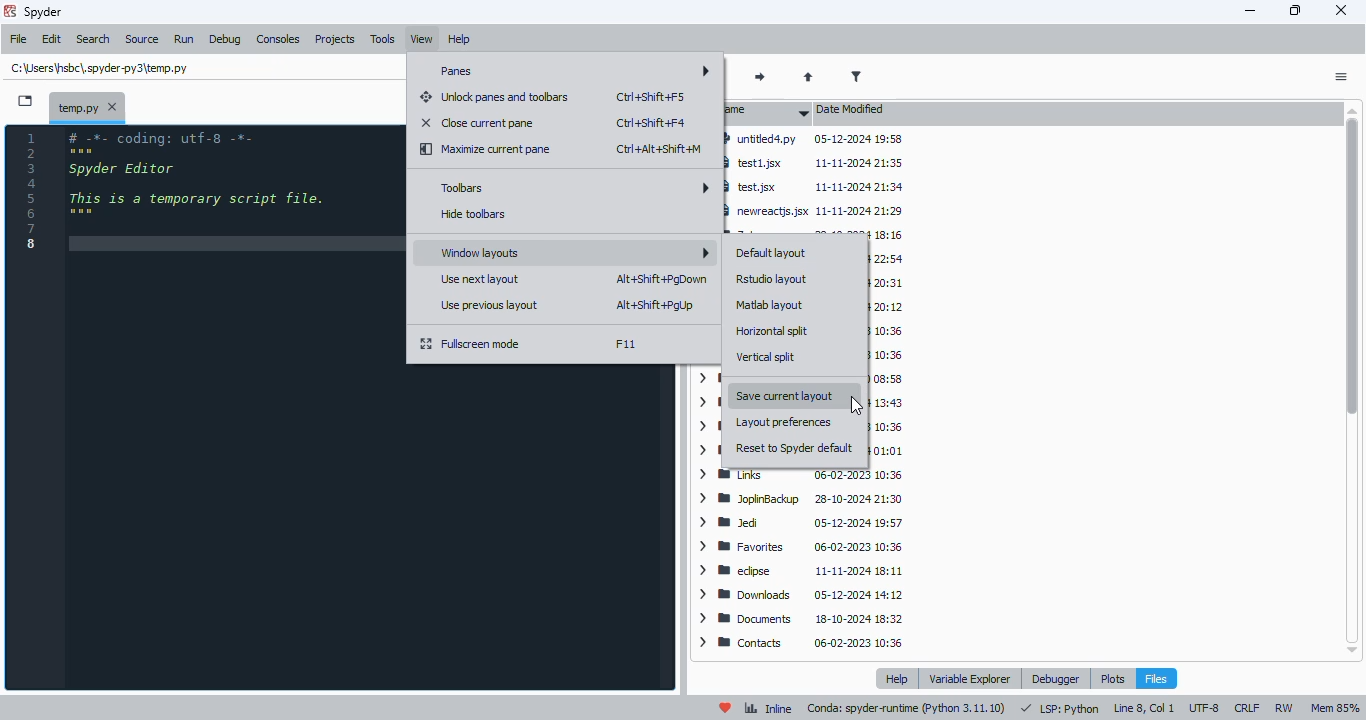  What do you see at coordinates (44, 12) in the screenshot?
I see `spyder` at bounding box center [44, 12].